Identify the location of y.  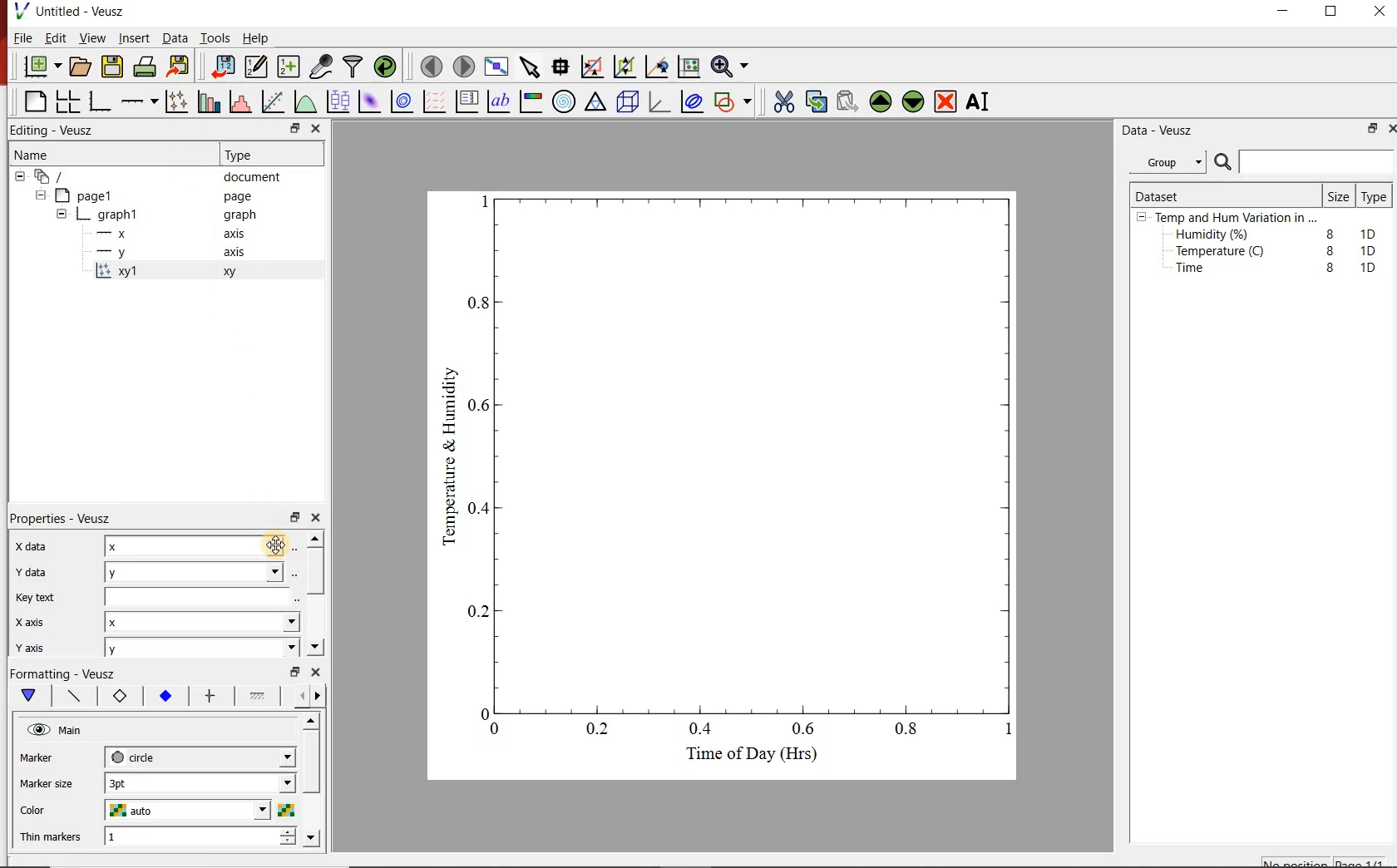
(127, 572).